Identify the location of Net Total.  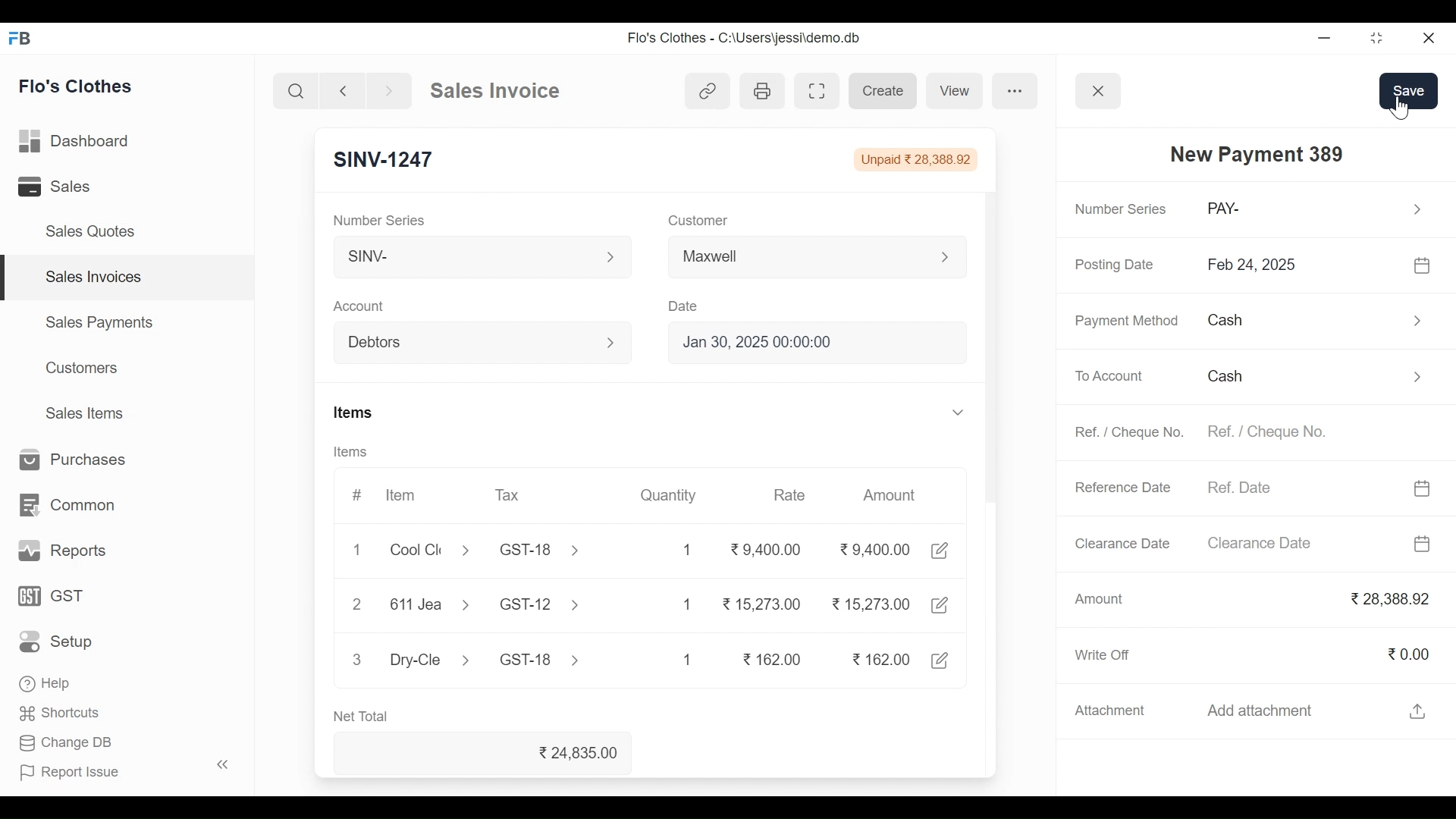
(369, 717).